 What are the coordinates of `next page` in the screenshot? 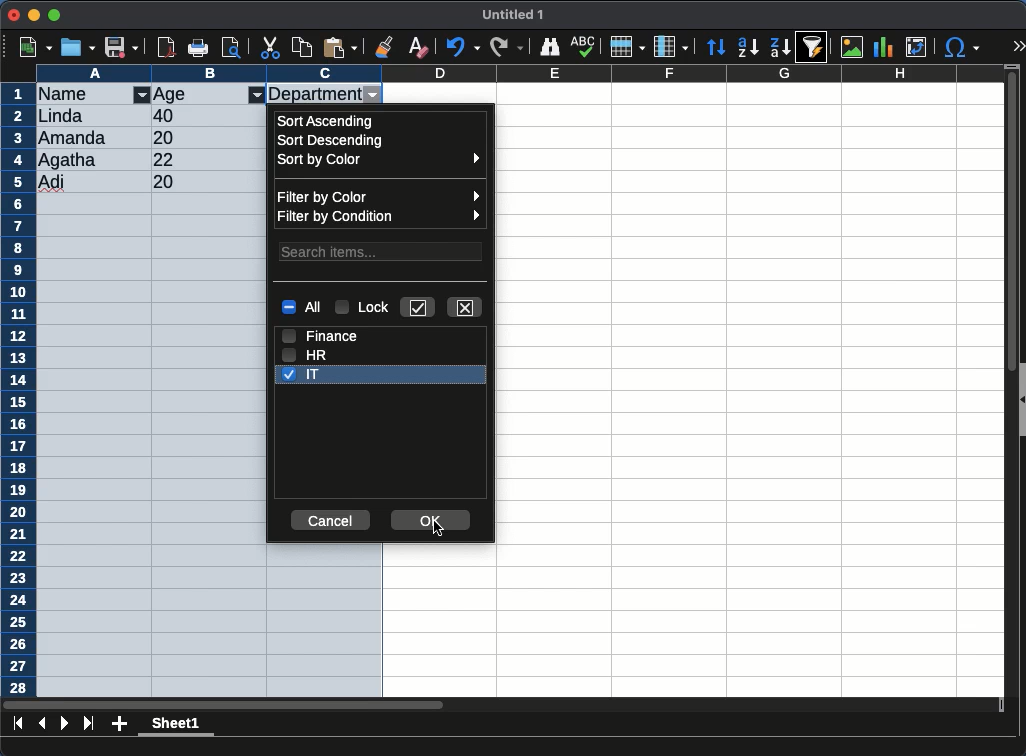 It's located at (65, 723).